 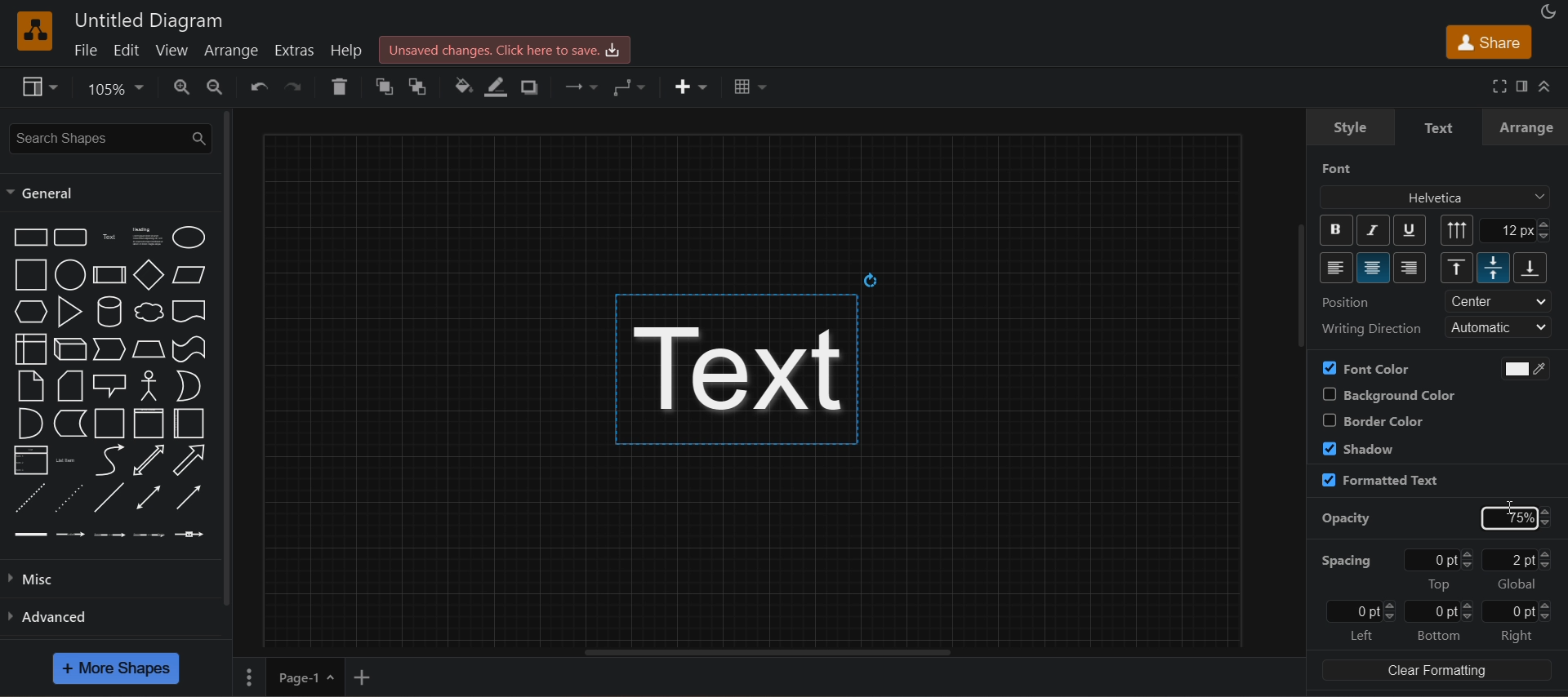 I want to click on undo, so click(x=257, y=87).